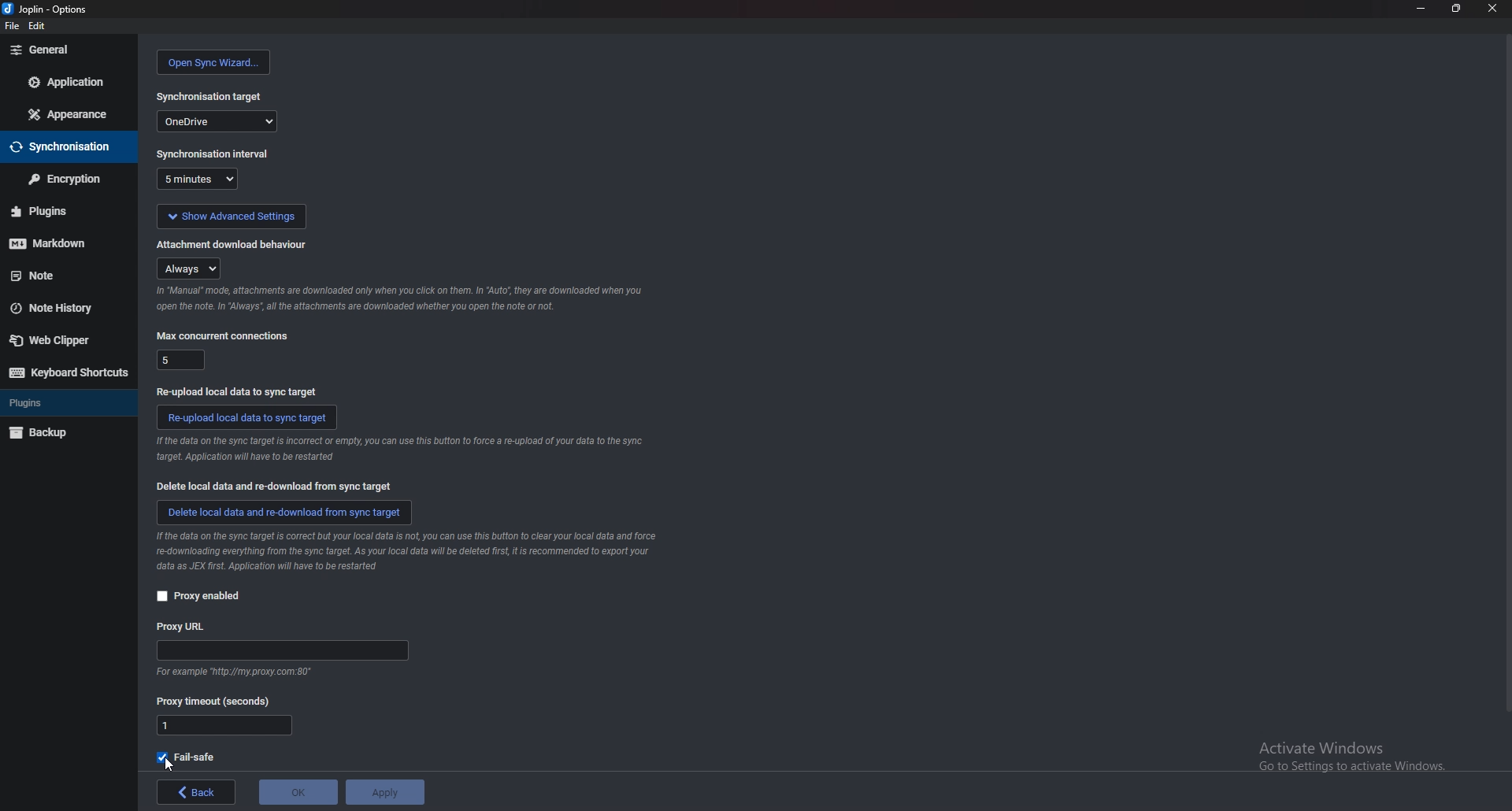 This screenshot has height=811, width=1512. What do you see at coordinates (57, 403) in the screenshot?
I see `plugins` at bounding box center [57, 403].